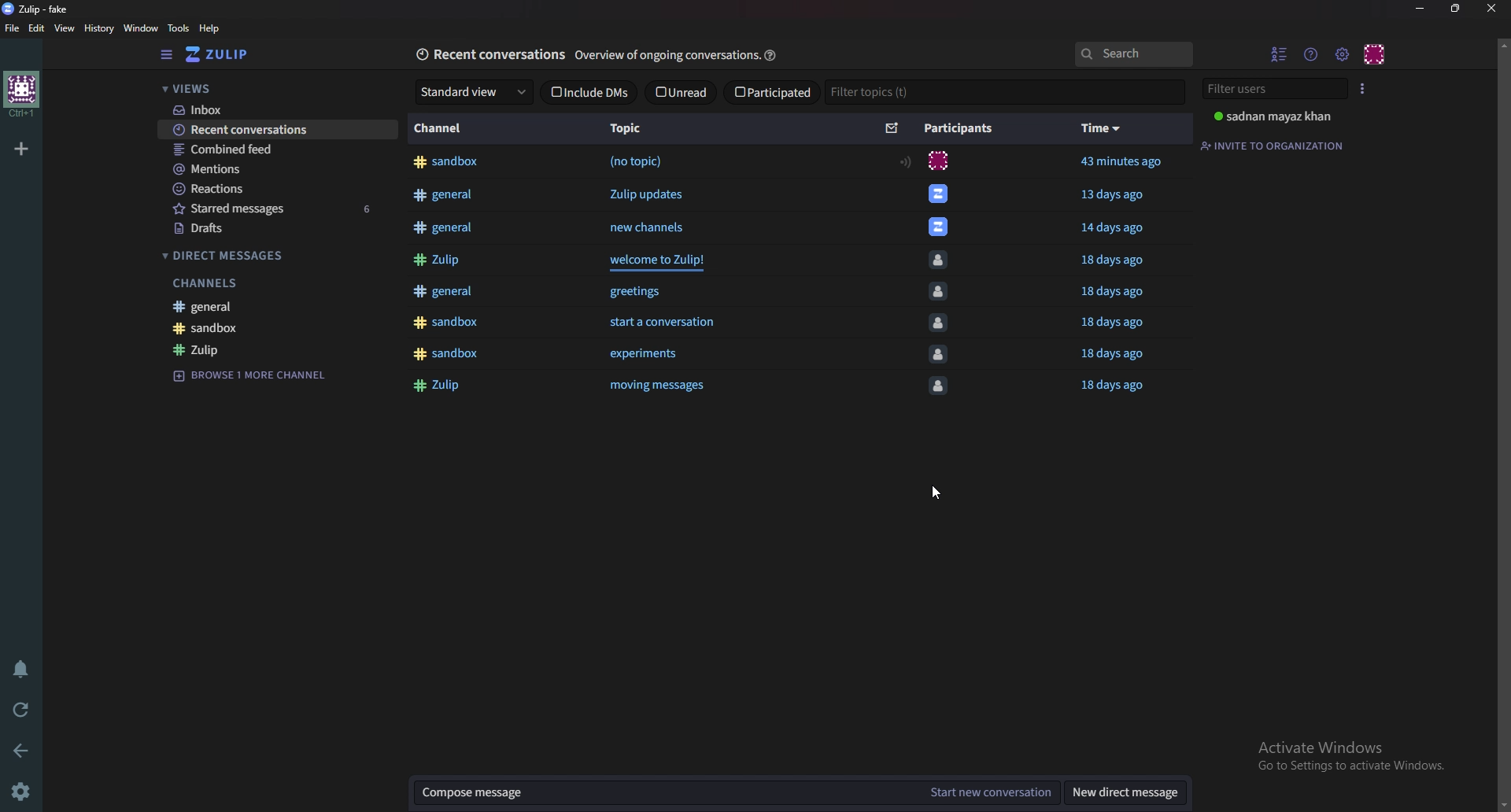 The width and height of the screenshot is (1511, 812). Describe the element at coordinates (441, 390) in the screenshot. I see `#Zulip` at that location.